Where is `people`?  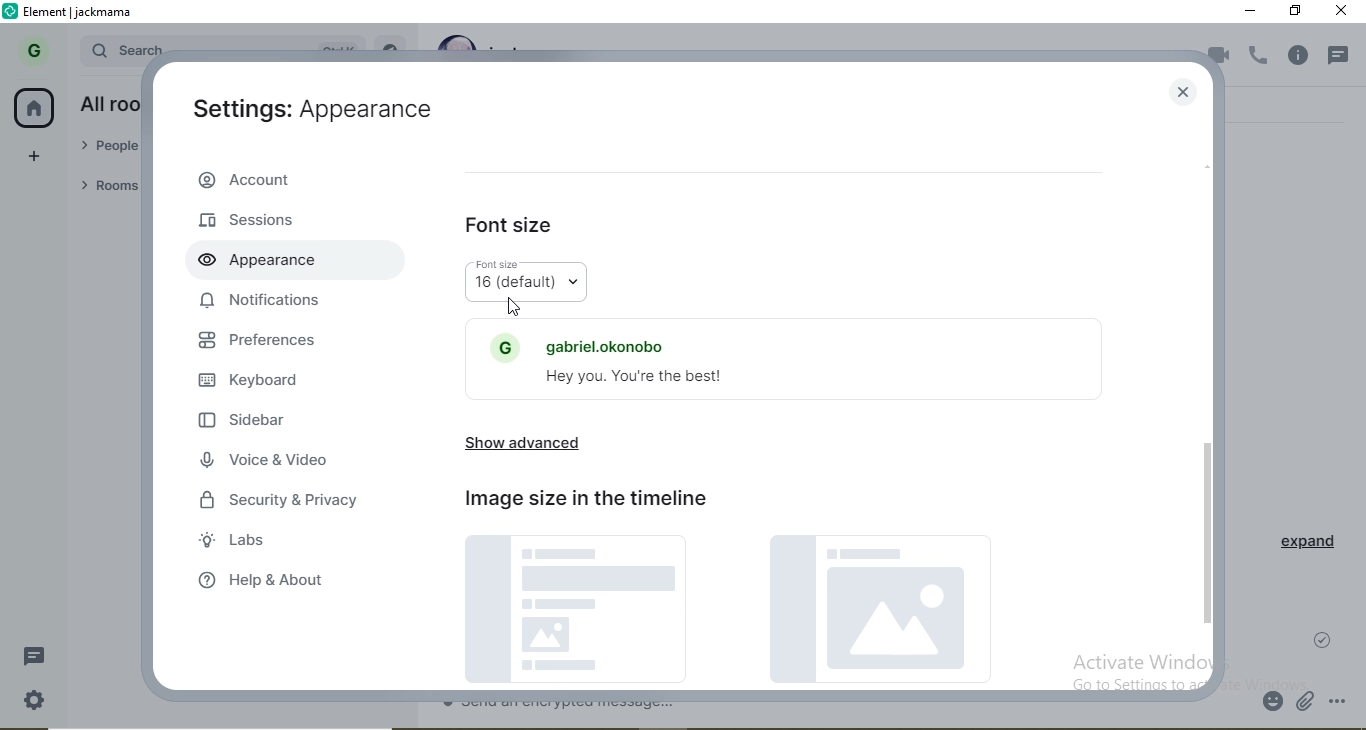
people is located at coordinates (109, 148).